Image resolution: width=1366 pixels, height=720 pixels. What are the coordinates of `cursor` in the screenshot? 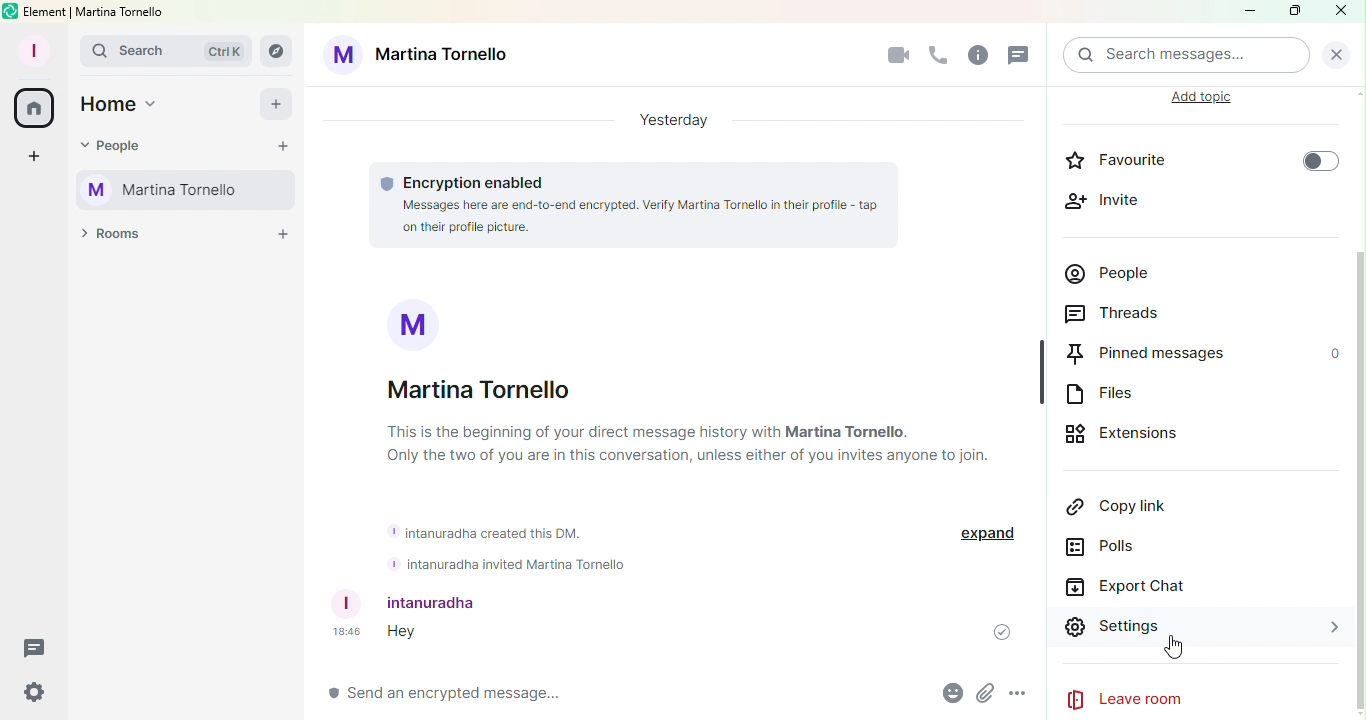 It's located at (1171, 649).